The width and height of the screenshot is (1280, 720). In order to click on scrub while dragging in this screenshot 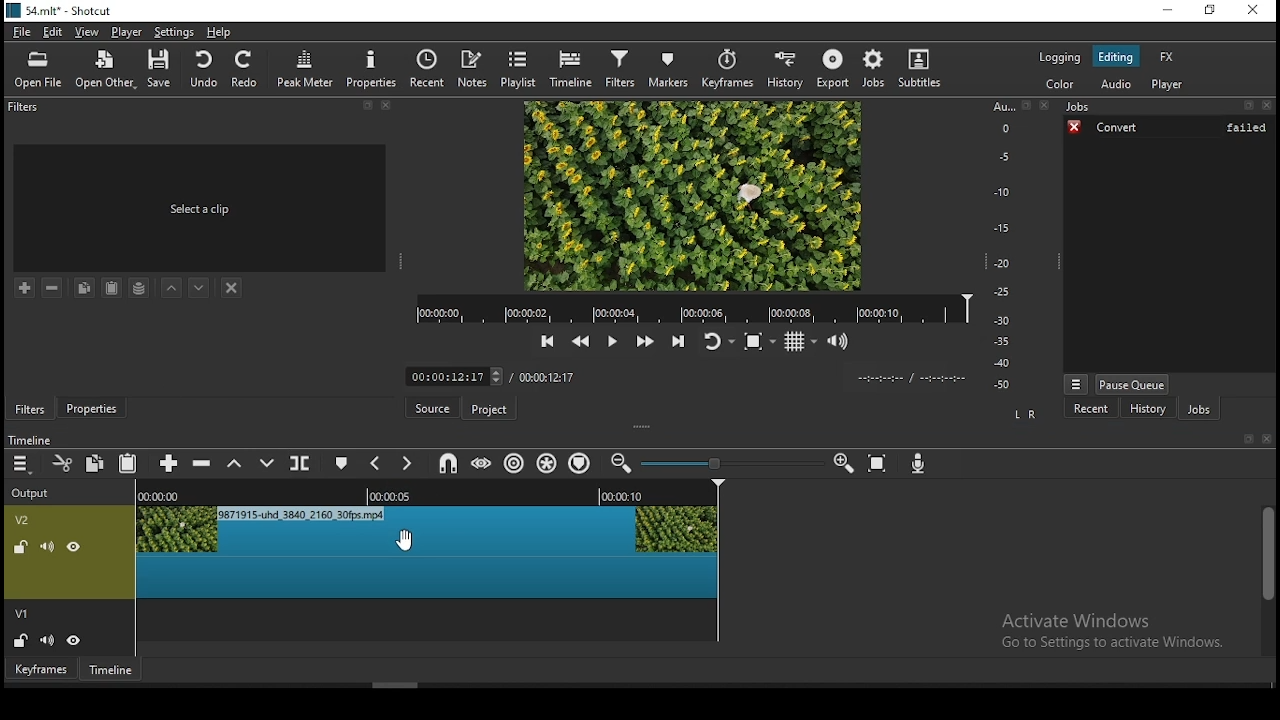, I will do `click(483, 463)`.